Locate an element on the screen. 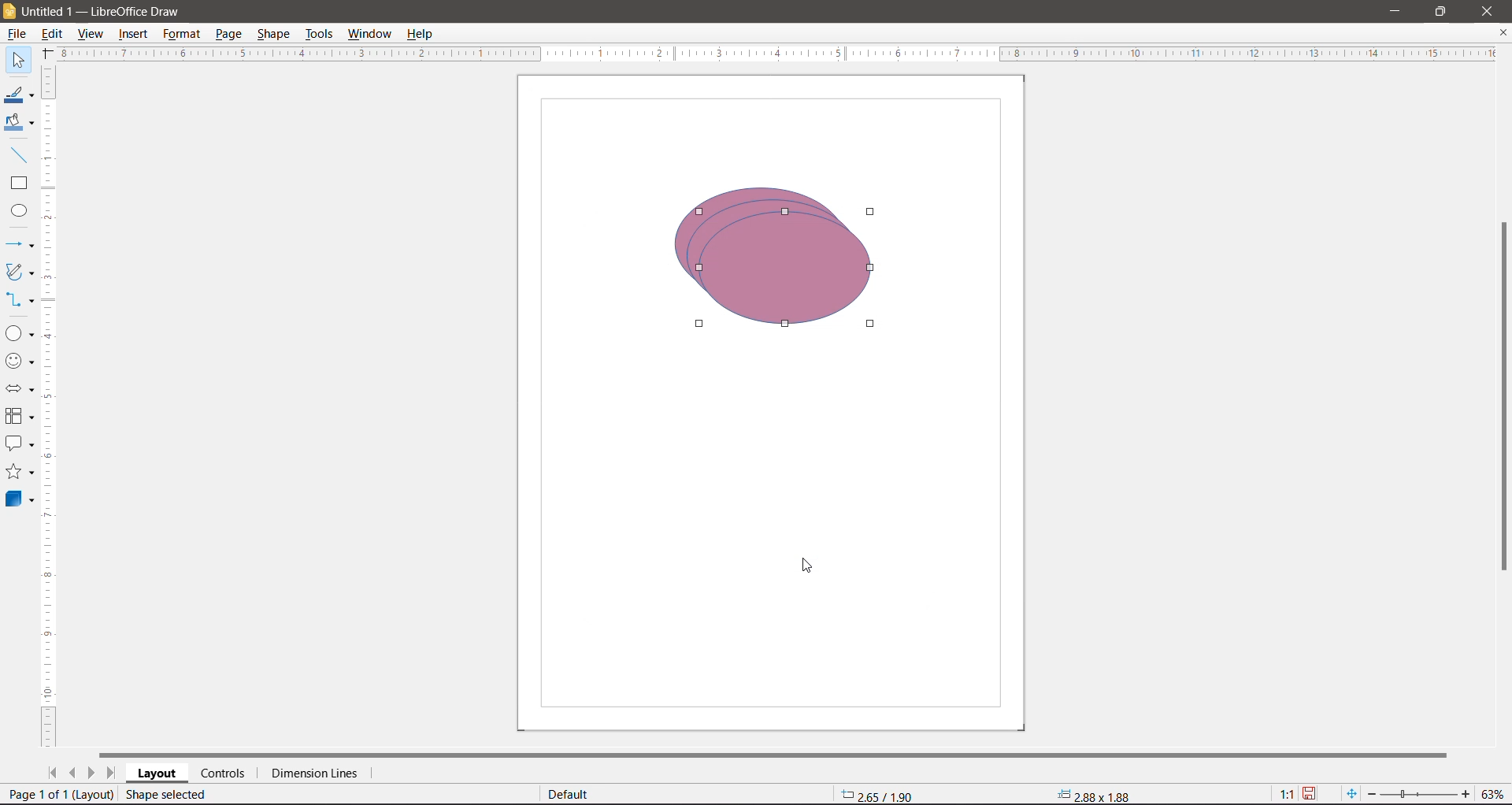 This screenshot has width=1512, height=805. Zoom In is located at coordinates (1463, 794).